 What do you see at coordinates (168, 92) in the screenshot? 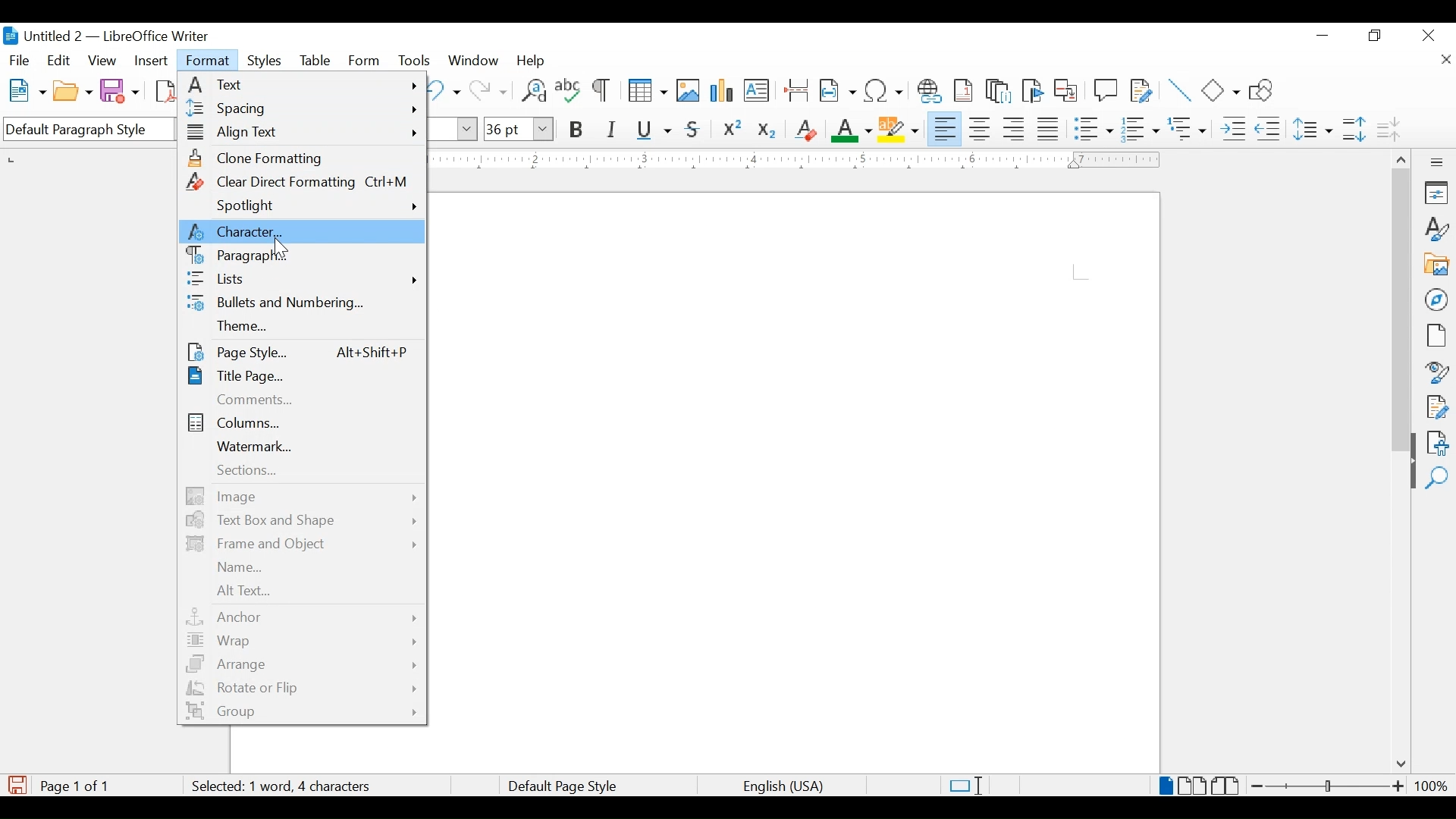
I see `export directly as pdf` at bounding box center [168, 92].